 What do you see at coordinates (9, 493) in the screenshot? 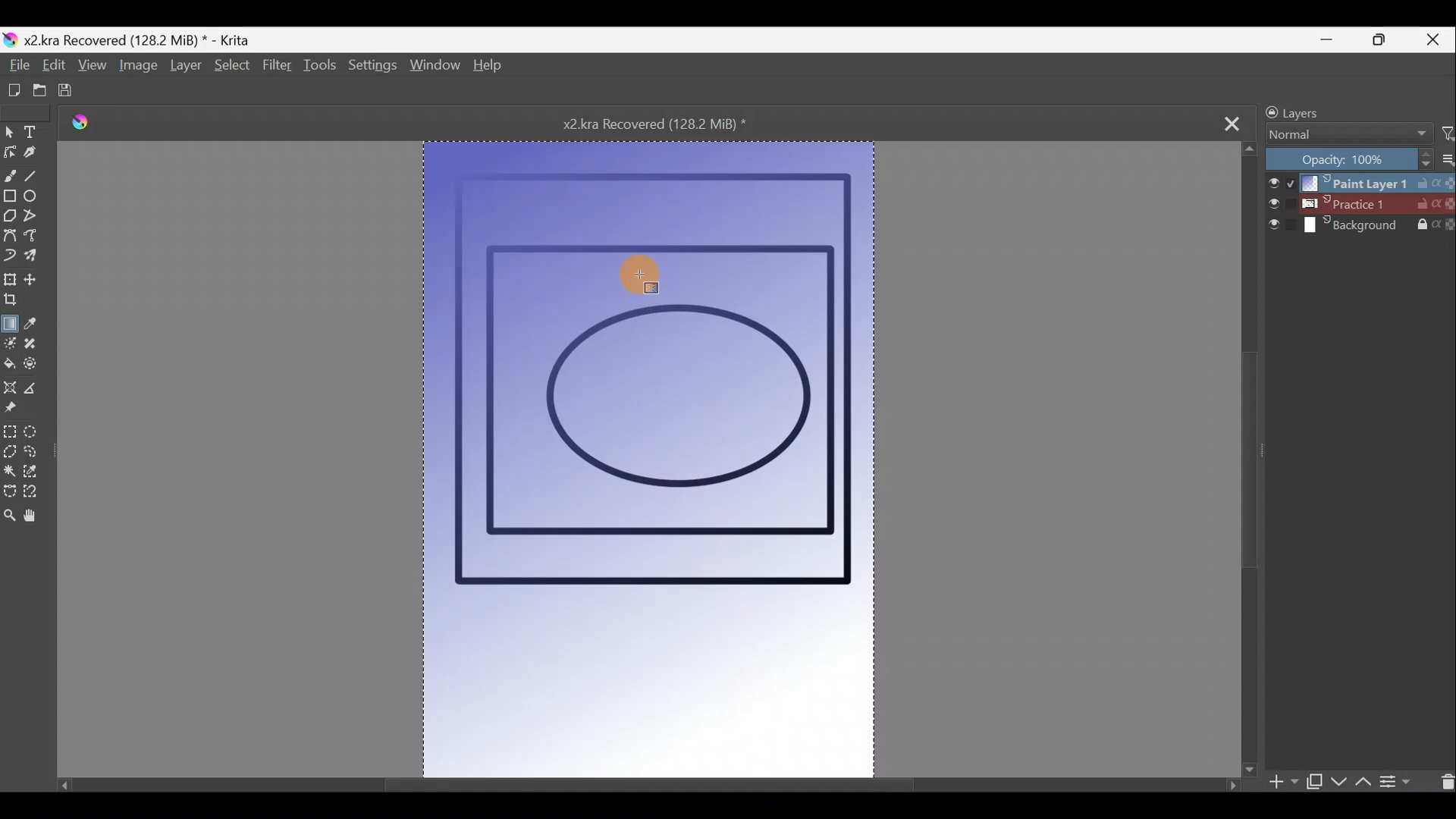
I see `Bezier curve selection tool` at bounding box center [9, 493].